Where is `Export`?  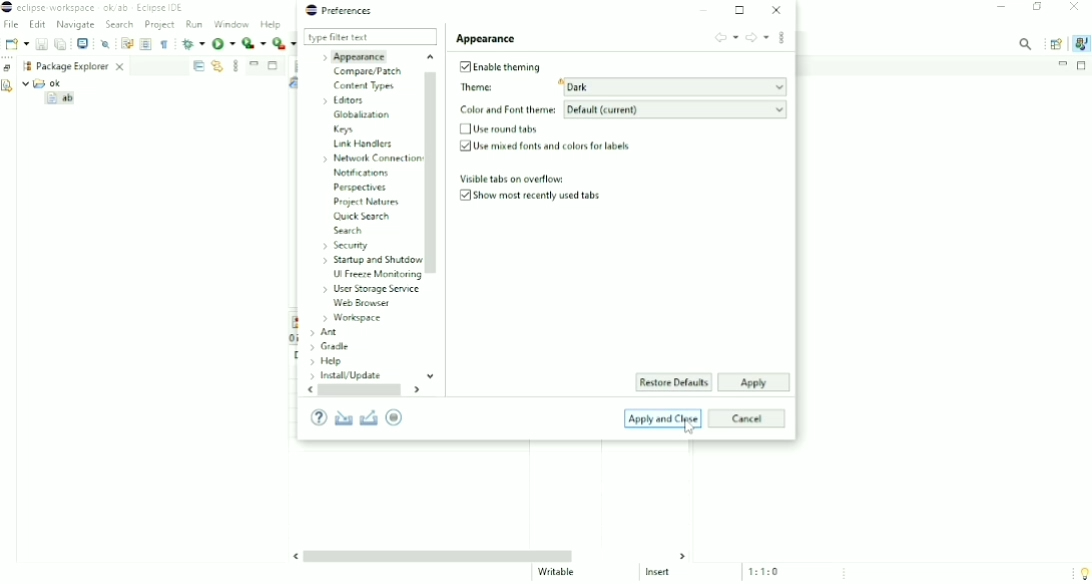
Export is located at coordinates (369, 417).